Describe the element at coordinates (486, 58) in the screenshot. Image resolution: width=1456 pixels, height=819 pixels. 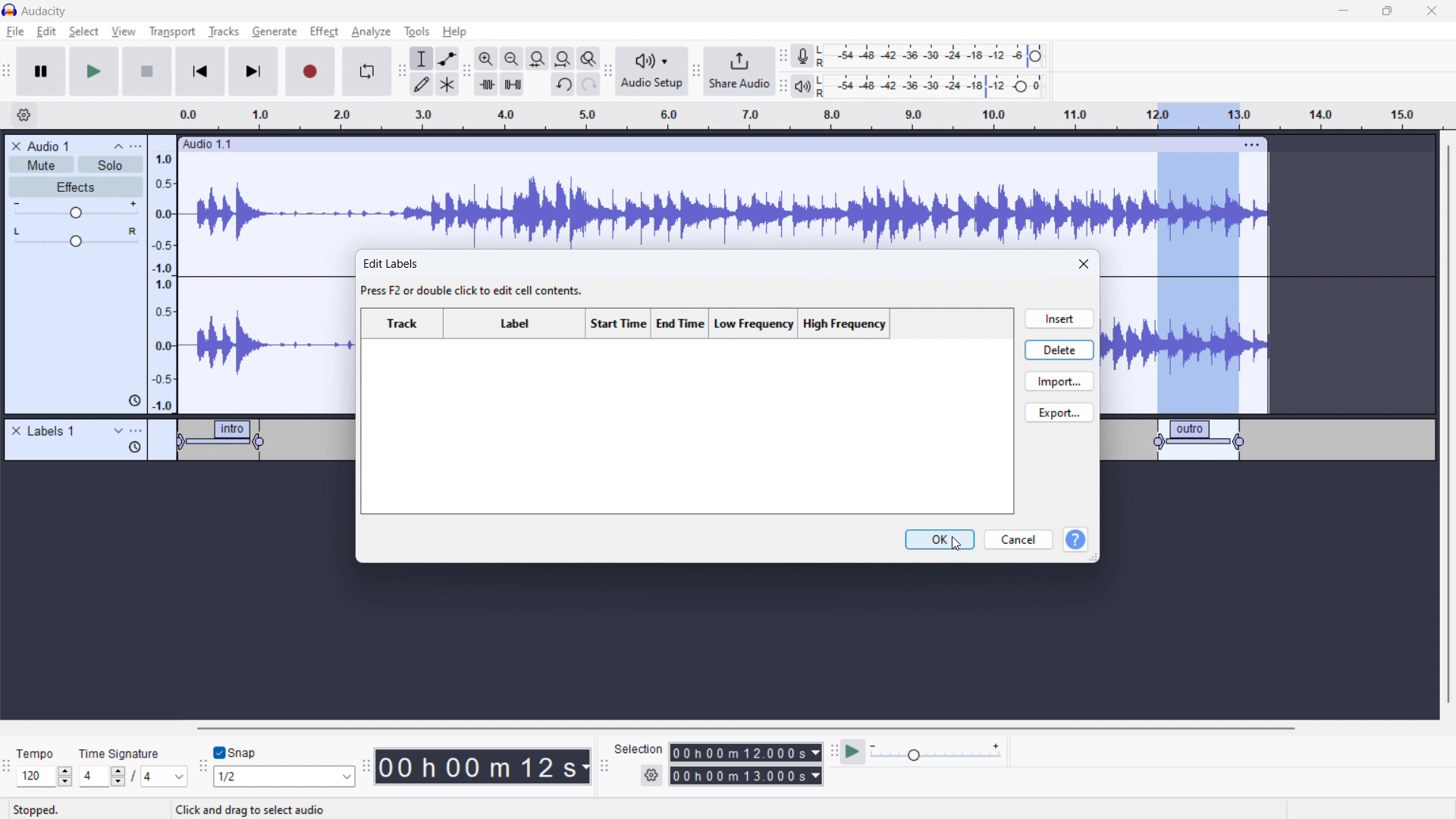
I see `zoom in` at that location.